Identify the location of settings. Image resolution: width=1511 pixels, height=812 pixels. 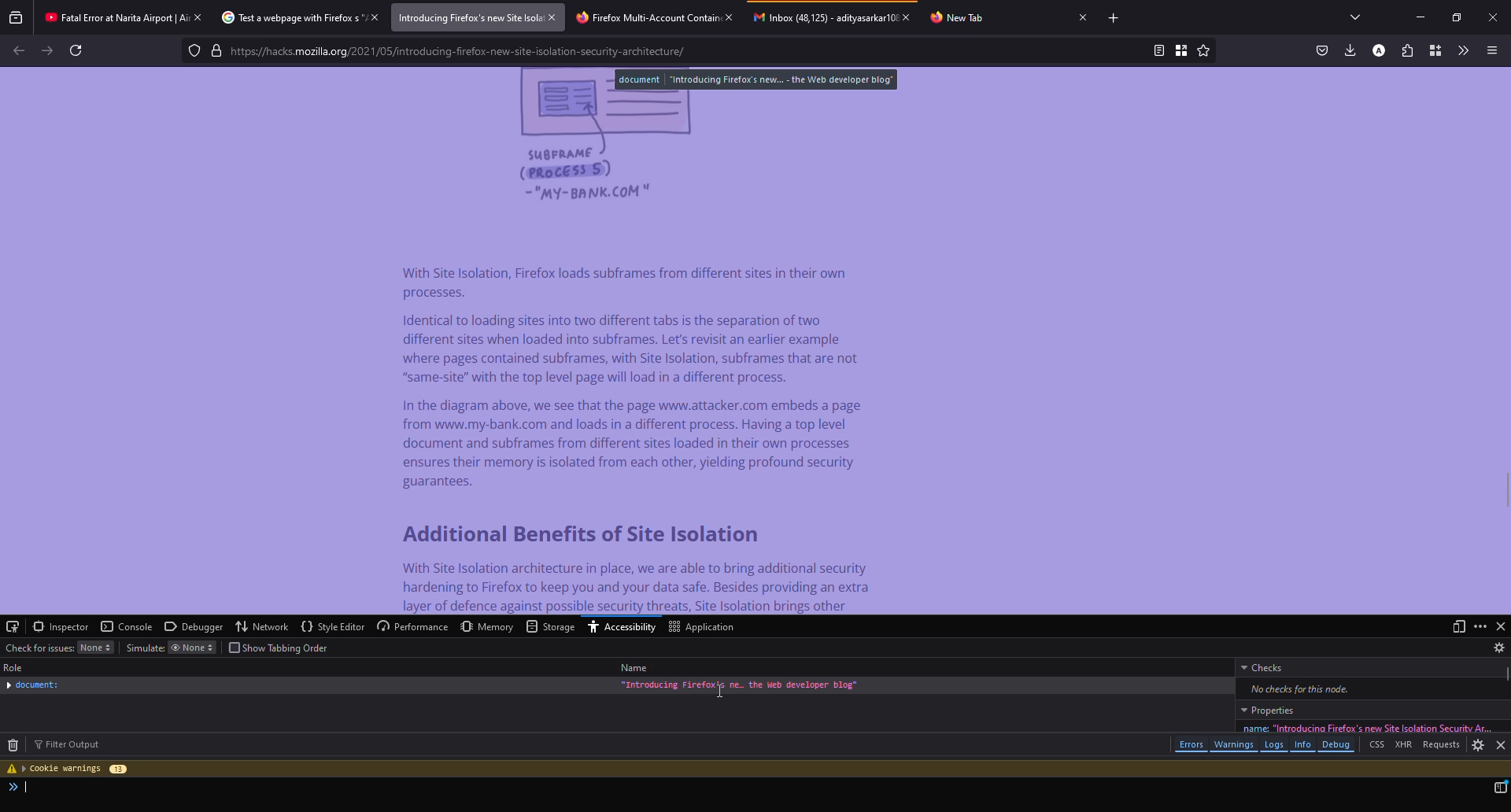
(1499, 648).